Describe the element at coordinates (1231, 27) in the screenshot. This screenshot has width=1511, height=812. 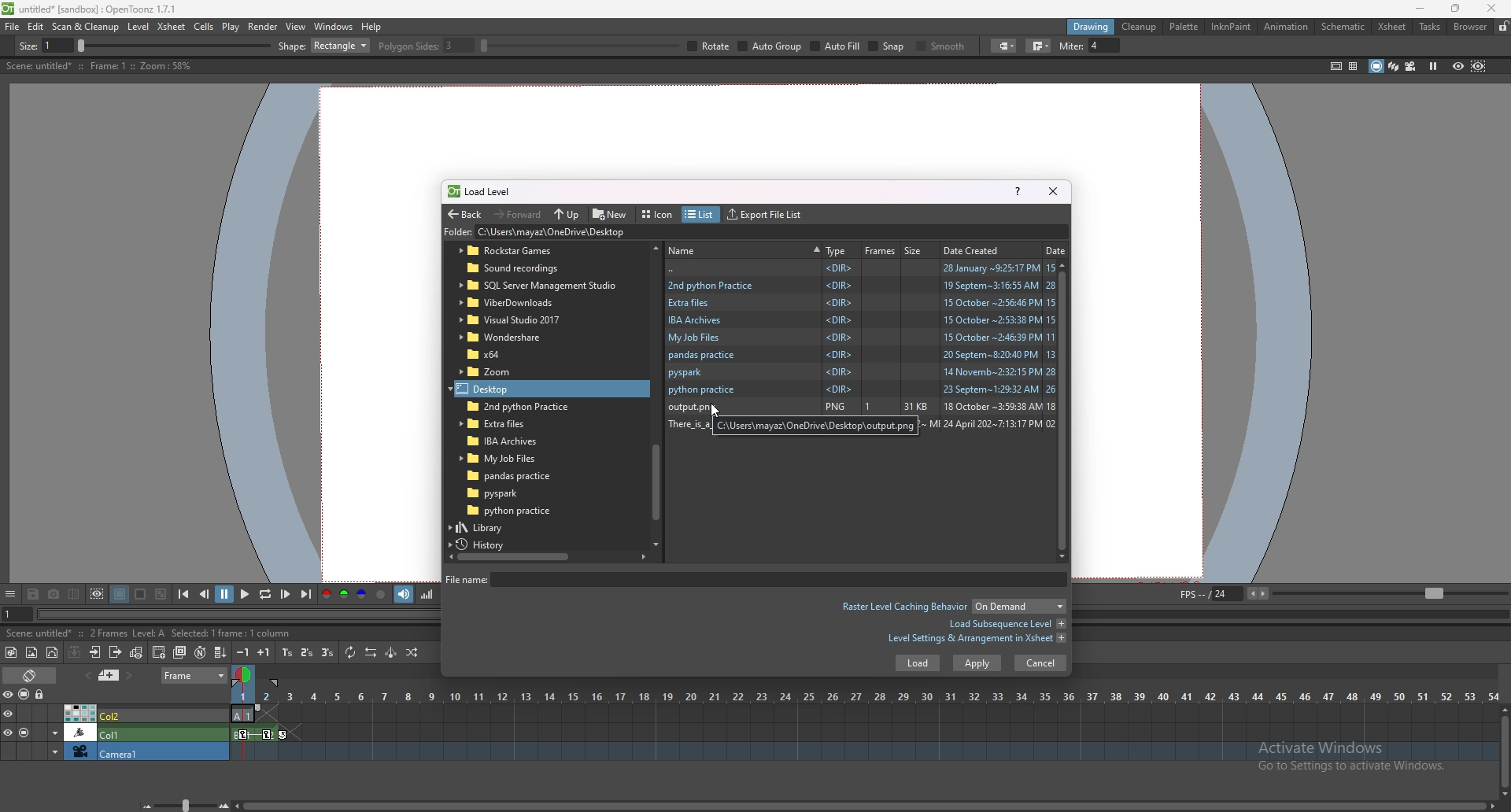
I see `inknpaint` at that location.